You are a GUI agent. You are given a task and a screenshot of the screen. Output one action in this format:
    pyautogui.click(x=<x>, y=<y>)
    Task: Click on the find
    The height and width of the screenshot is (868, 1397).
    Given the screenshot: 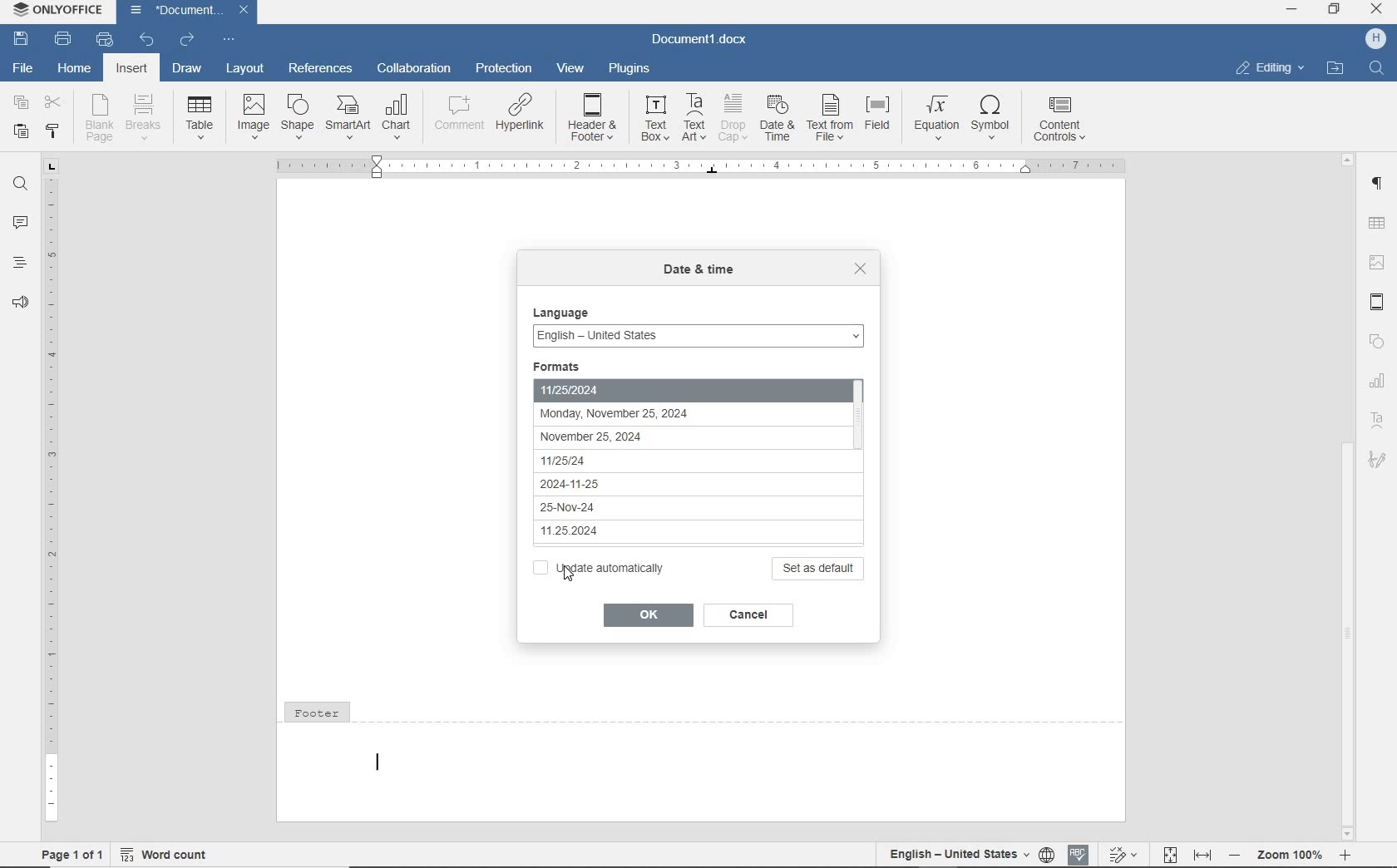 What is the action you would take?
    pyautogui.click(x=1375, y=69)
    